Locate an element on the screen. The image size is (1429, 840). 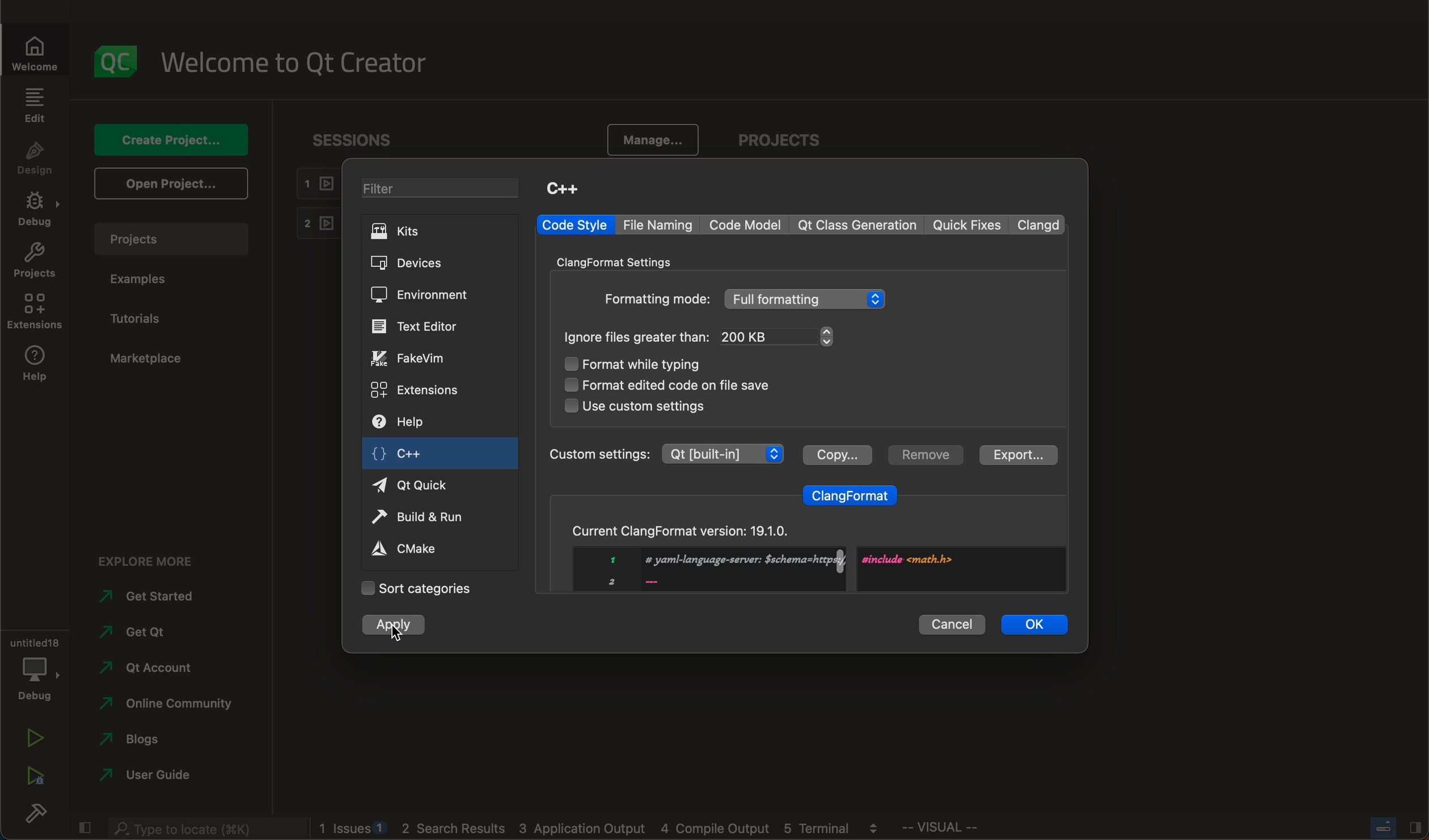
welcome is located at coordinates (41, 52).